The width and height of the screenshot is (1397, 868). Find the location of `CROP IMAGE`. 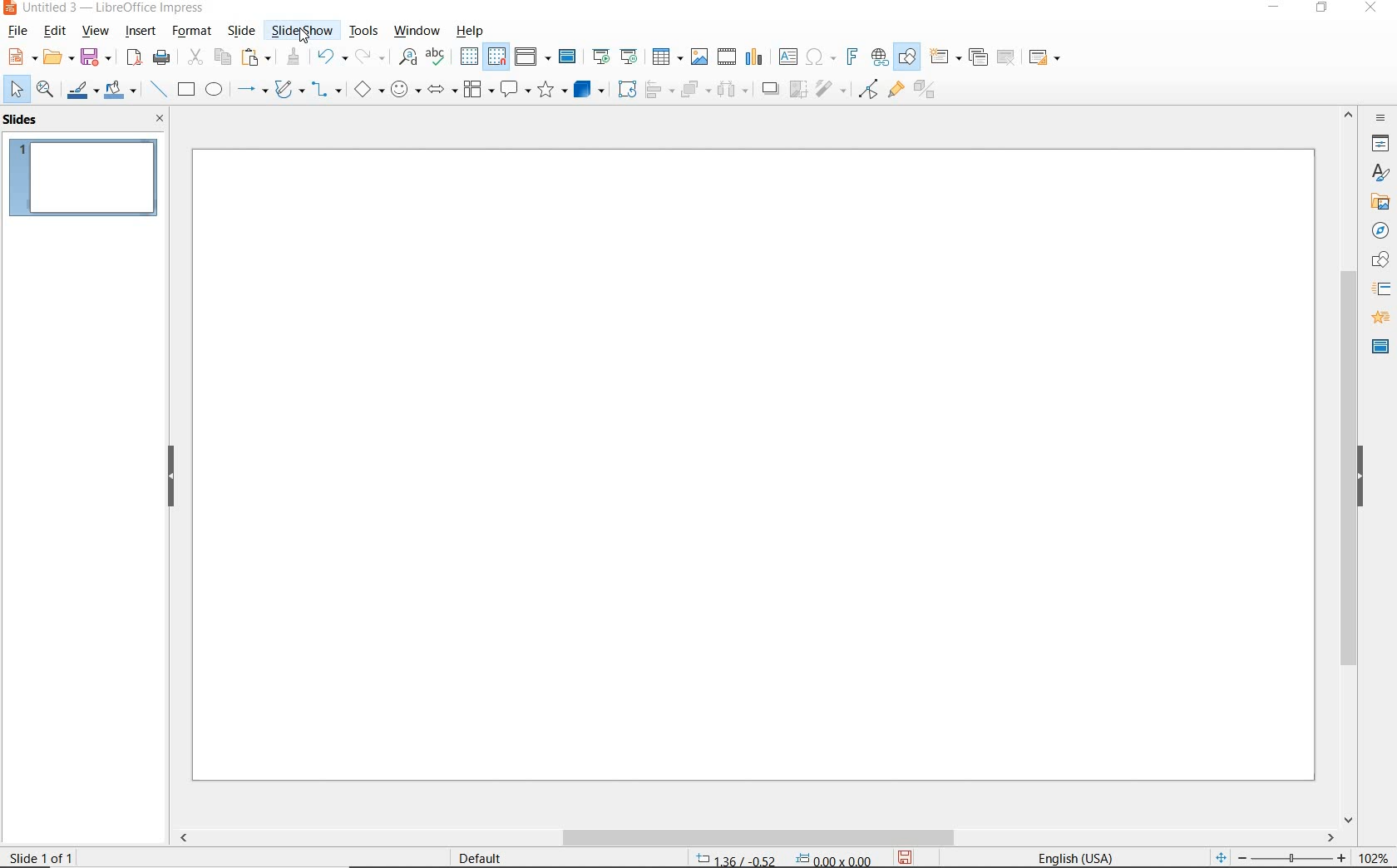

CROP IMAGE is located at coordinates (797, 90).